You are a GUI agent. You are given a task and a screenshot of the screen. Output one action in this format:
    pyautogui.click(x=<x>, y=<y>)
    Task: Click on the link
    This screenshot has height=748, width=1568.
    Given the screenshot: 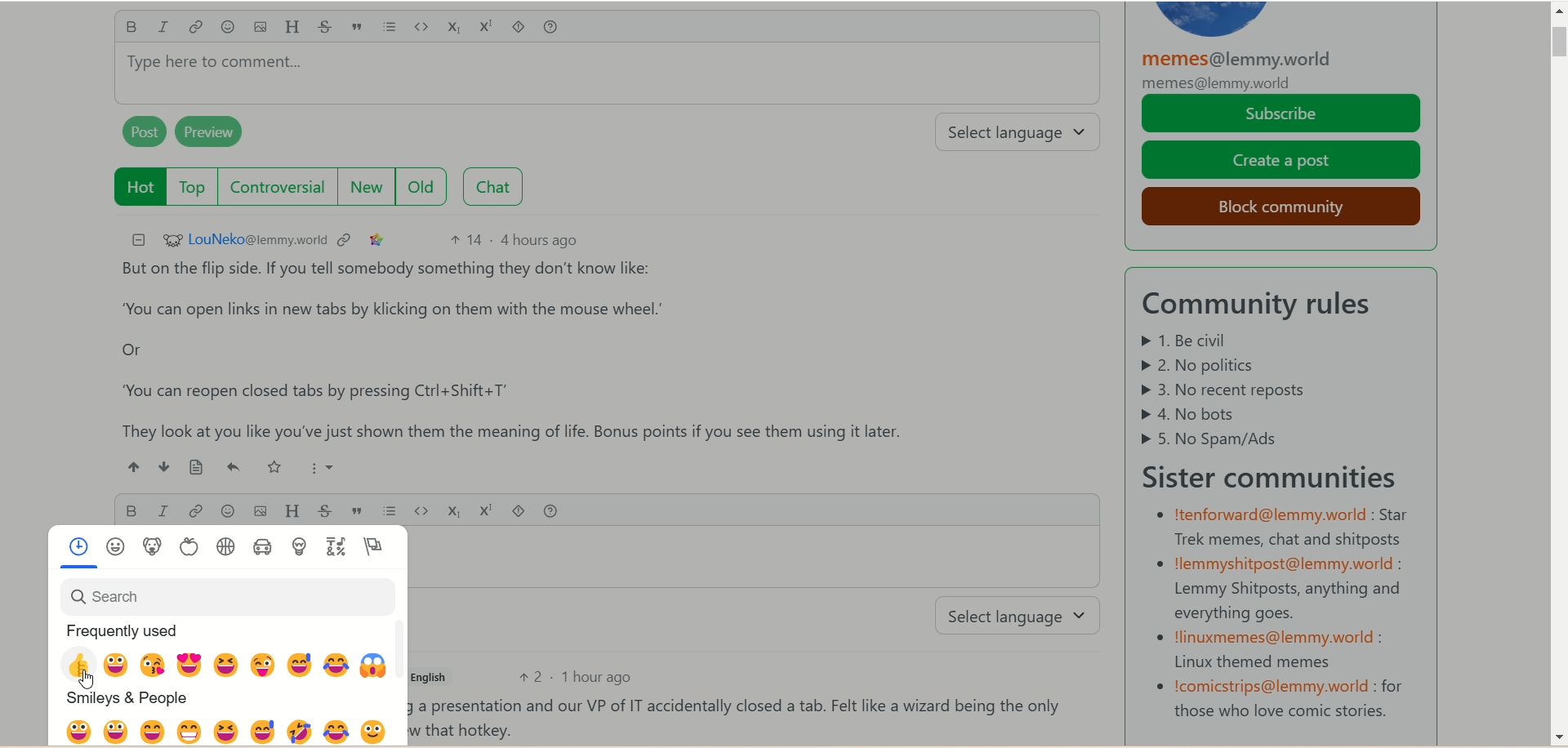 What is the action you would take?
    pyautogui.click(x=194, y=512)
    